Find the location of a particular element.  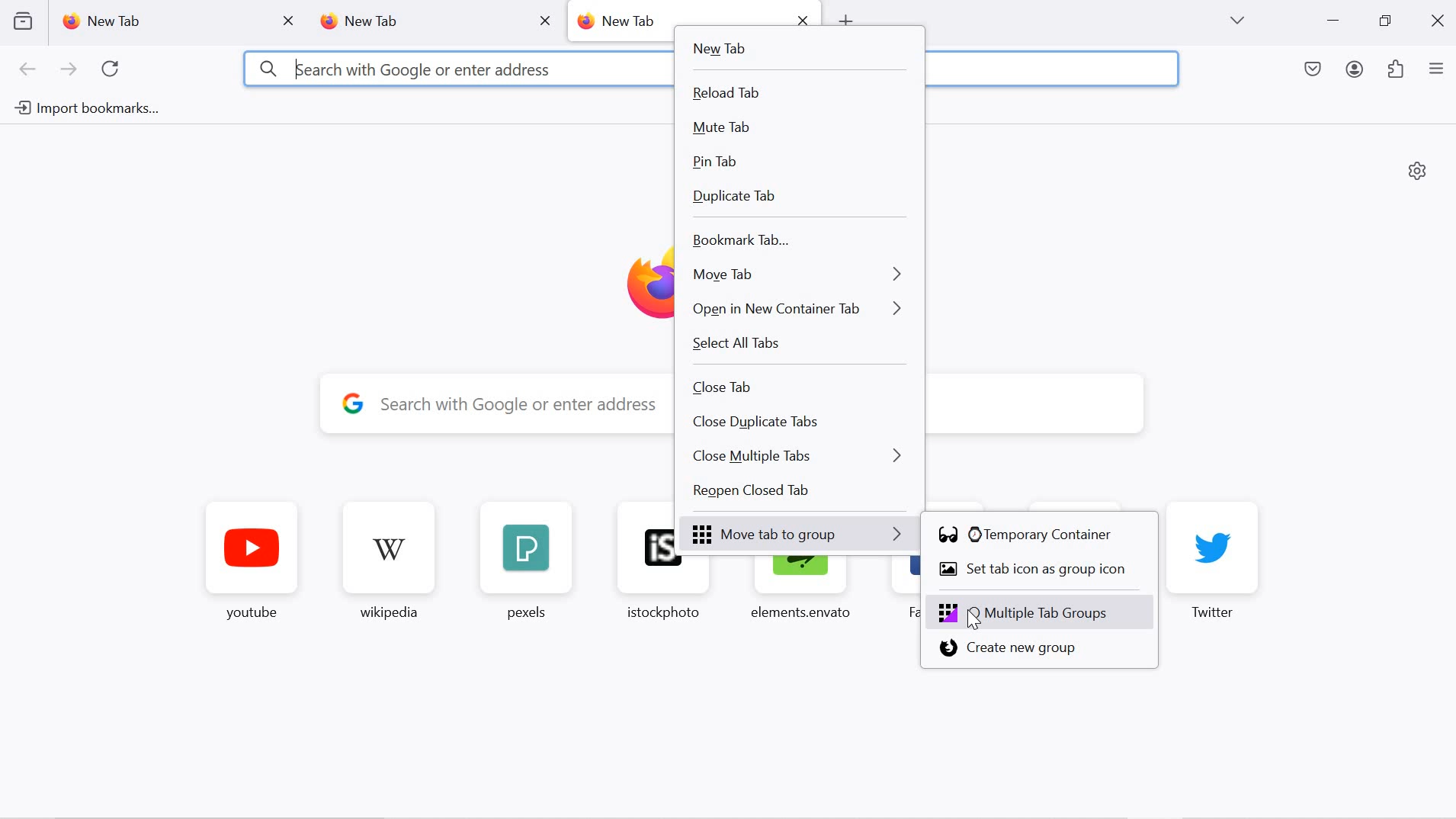

temporary container is located at coordinates (1031, 537).